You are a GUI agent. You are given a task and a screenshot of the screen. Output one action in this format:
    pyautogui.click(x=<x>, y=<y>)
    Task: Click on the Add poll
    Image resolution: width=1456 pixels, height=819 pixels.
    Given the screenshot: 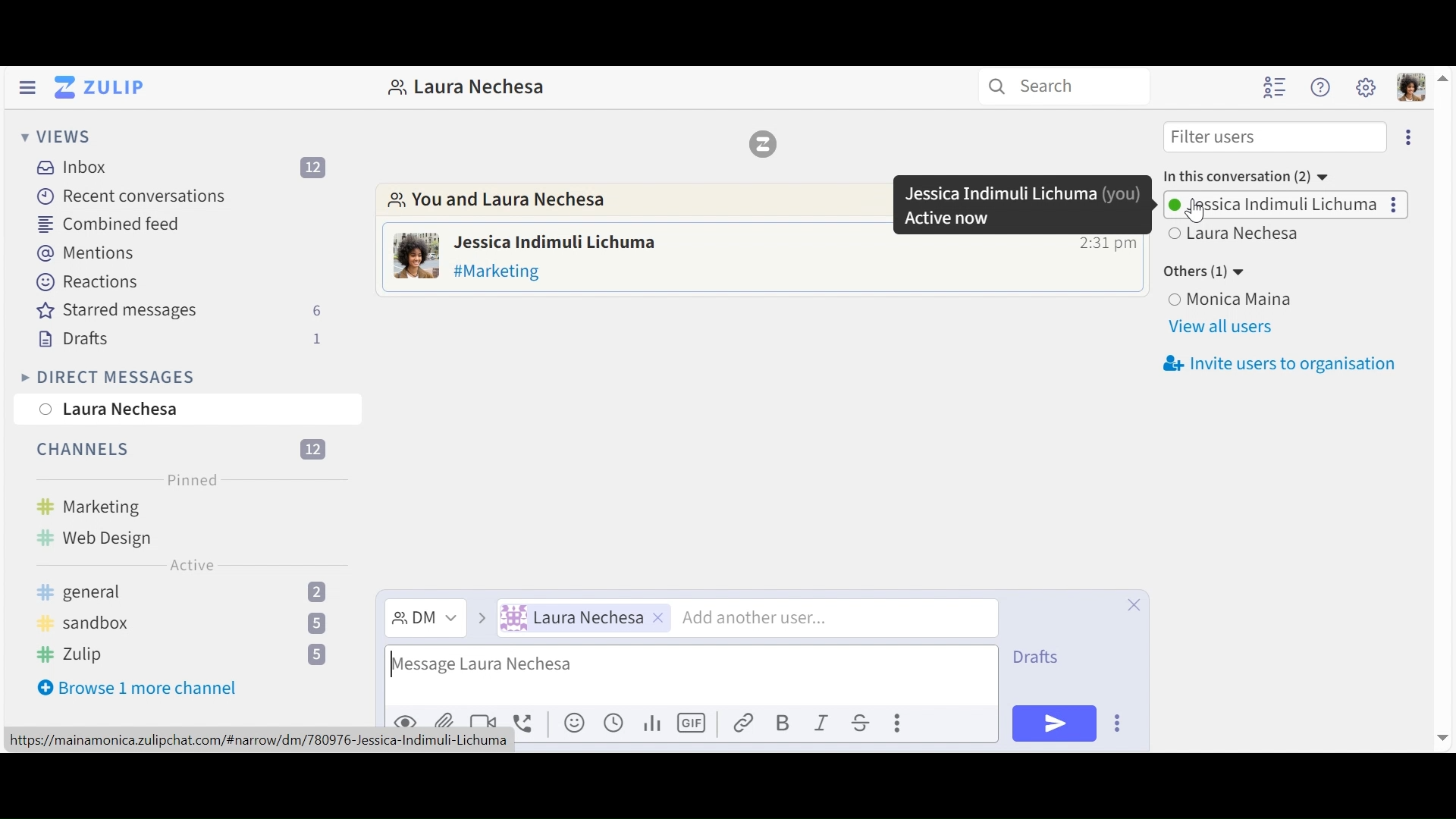 What is the action you would take?
    pyautogui.click(x=654, y=725)
    